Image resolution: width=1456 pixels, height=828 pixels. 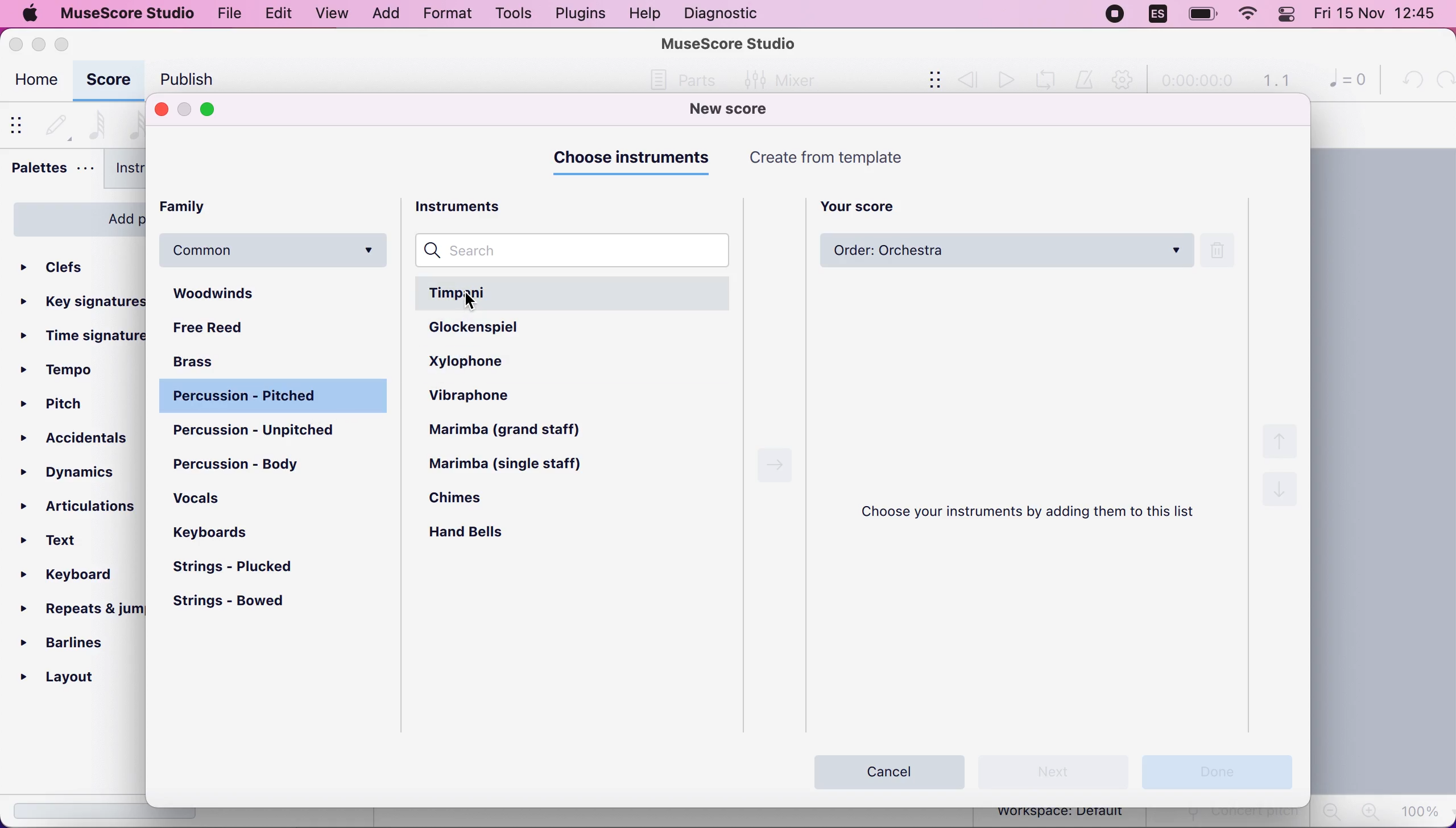 I want to click on instruments, so click(x=473, y=205).